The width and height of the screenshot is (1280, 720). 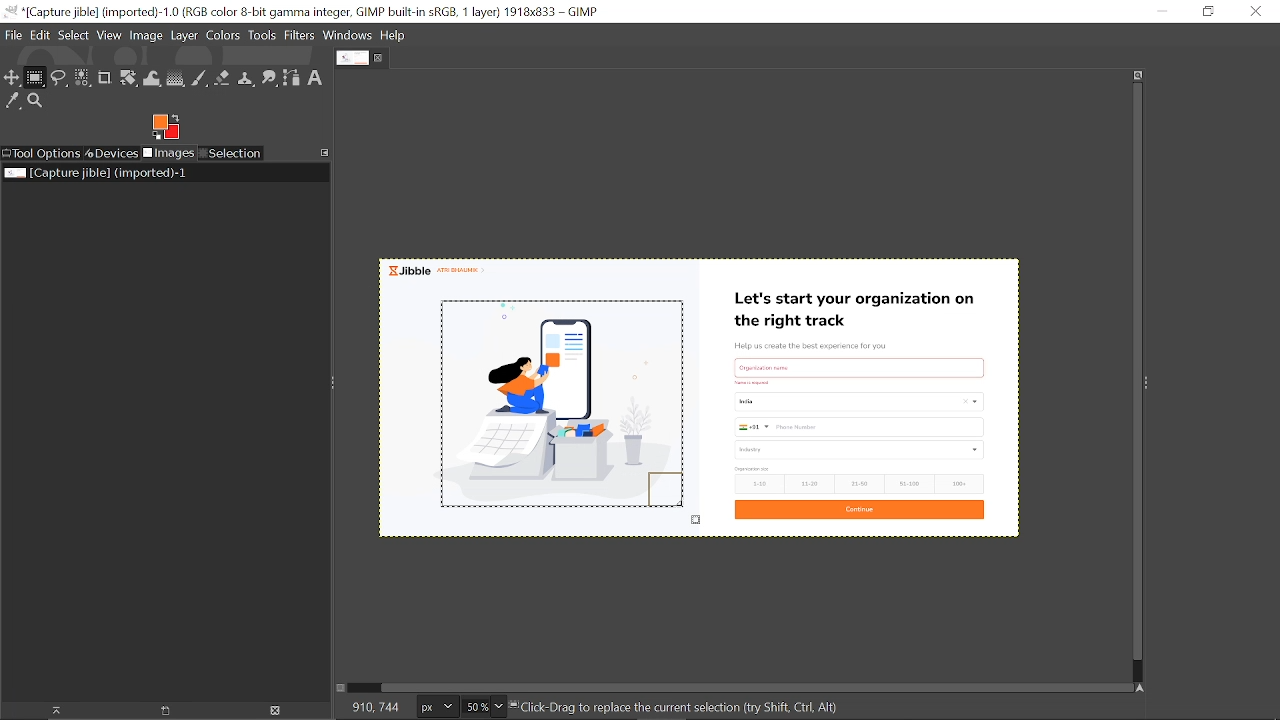 What do you see at coordinates (808, 484) in the screenshot?
I see `11-20` at bounding box center [808, 484].